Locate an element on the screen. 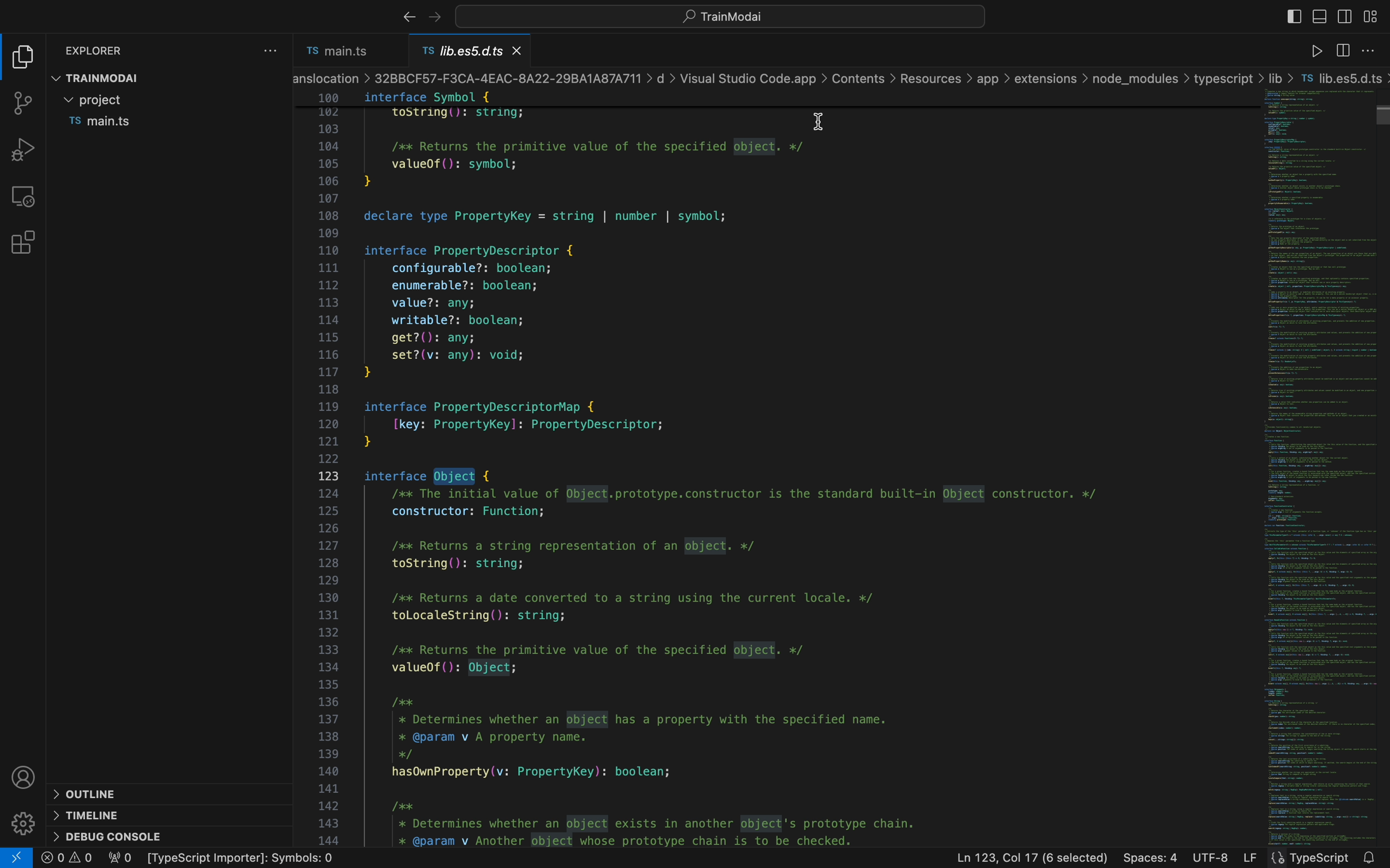 This screenshot has height=868, width=1390. outline is located at coordinates (90, 795).